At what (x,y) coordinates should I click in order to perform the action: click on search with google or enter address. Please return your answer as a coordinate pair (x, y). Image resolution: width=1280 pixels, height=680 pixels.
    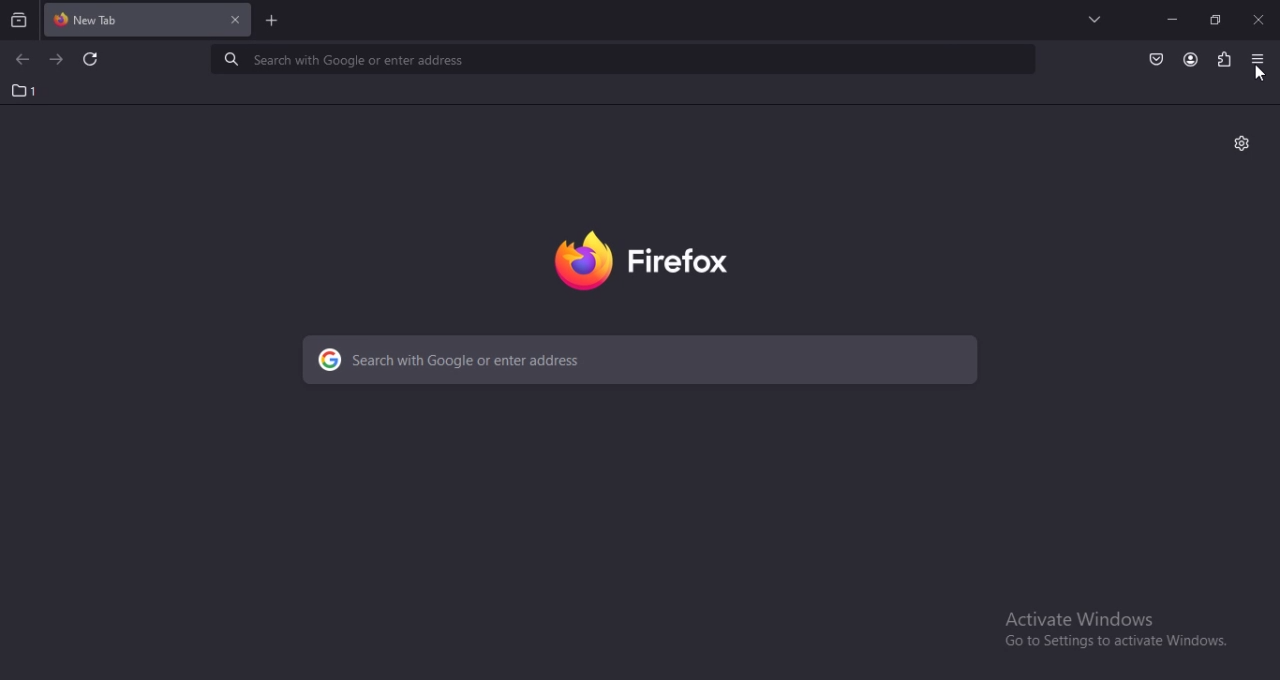
    Looking at the image, I should click on (642, 360).